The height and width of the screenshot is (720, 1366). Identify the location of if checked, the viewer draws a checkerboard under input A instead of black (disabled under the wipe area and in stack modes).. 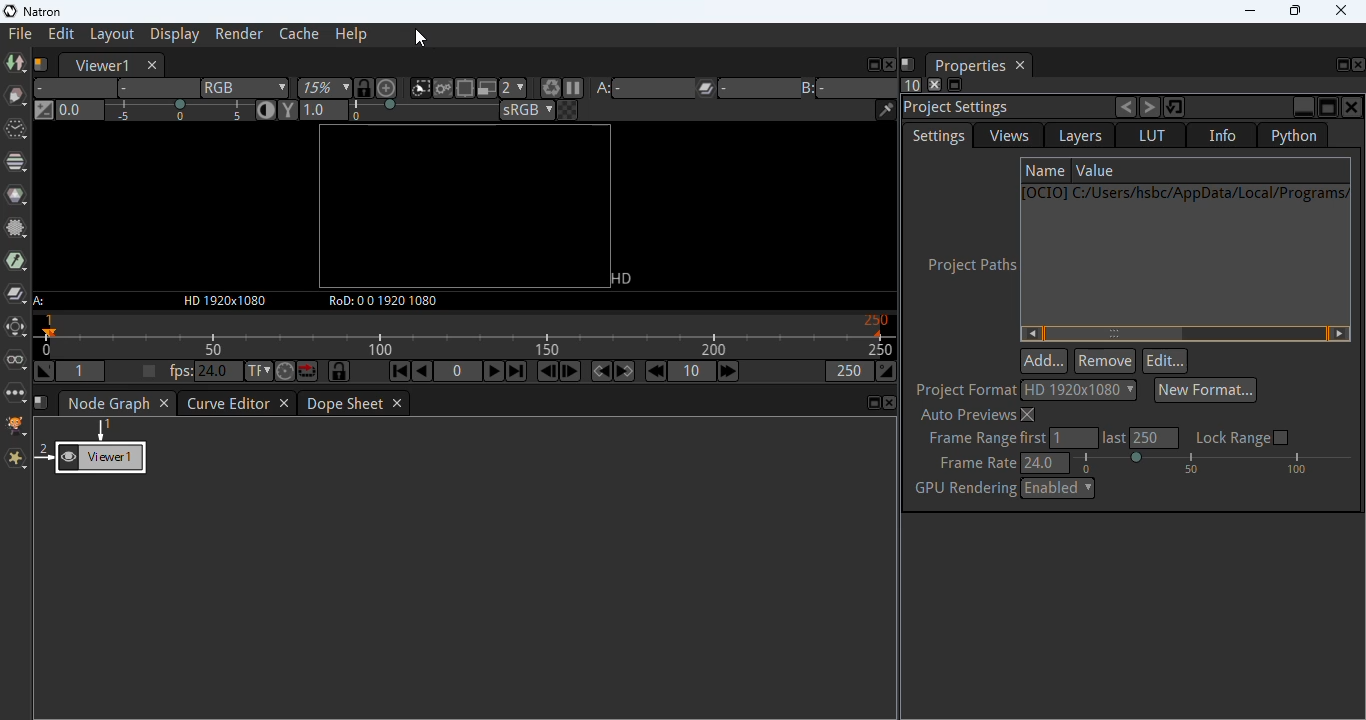
(569, 111).